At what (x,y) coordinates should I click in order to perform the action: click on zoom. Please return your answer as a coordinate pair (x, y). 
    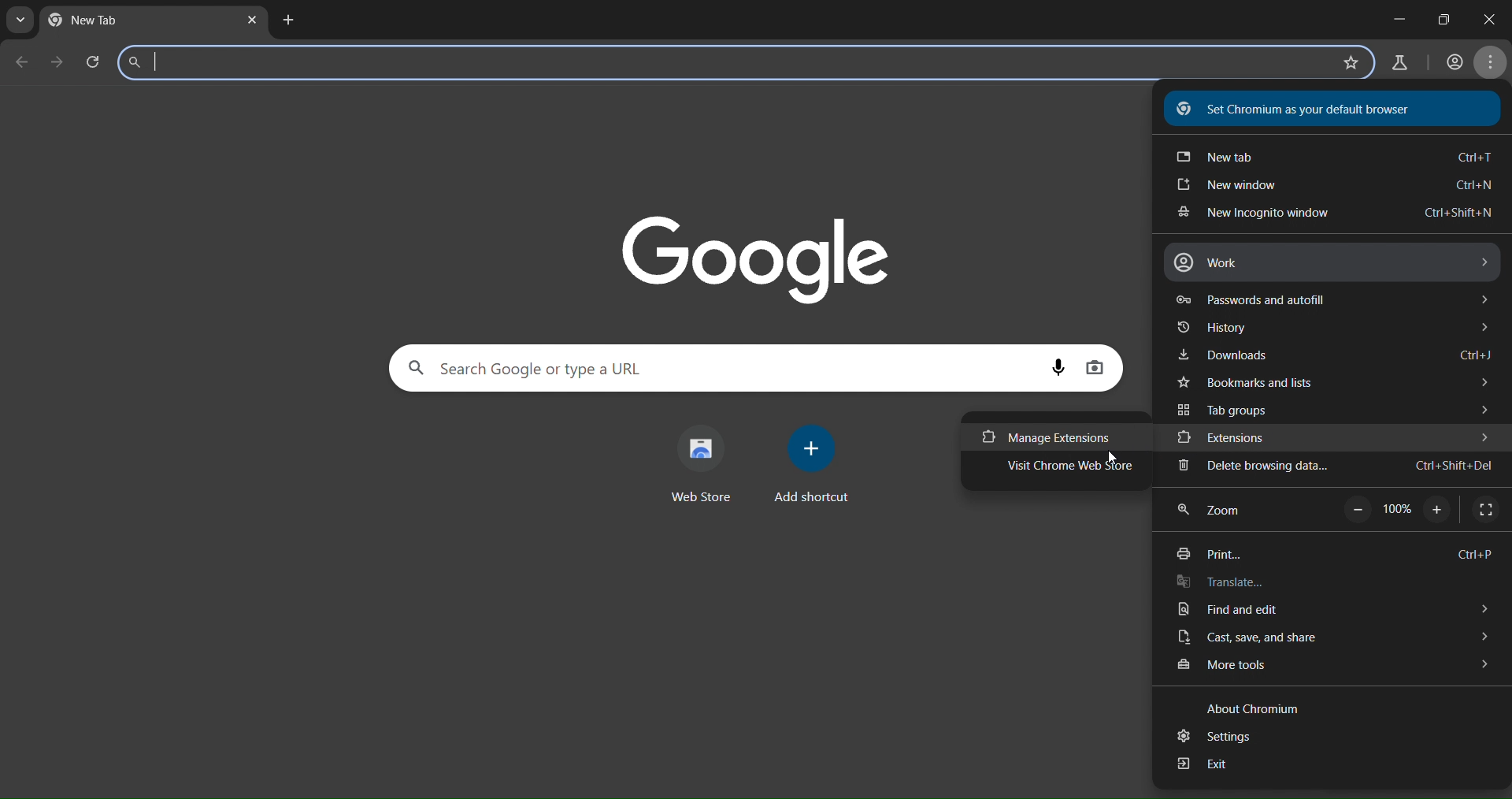
    Looking at the image, I should click on (1217, 508).